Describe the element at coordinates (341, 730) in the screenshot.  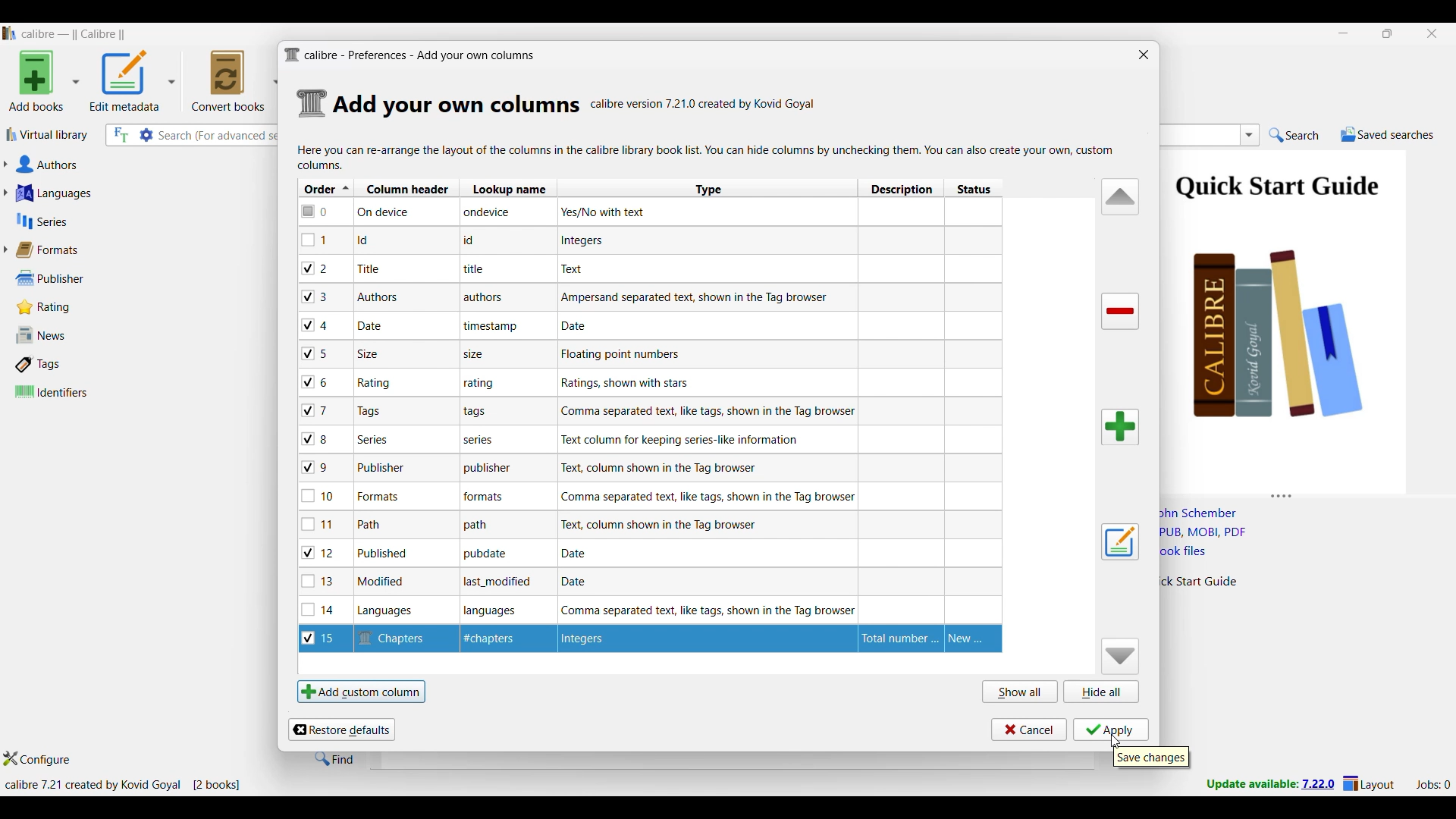
I see `Restore defaults` at that location.